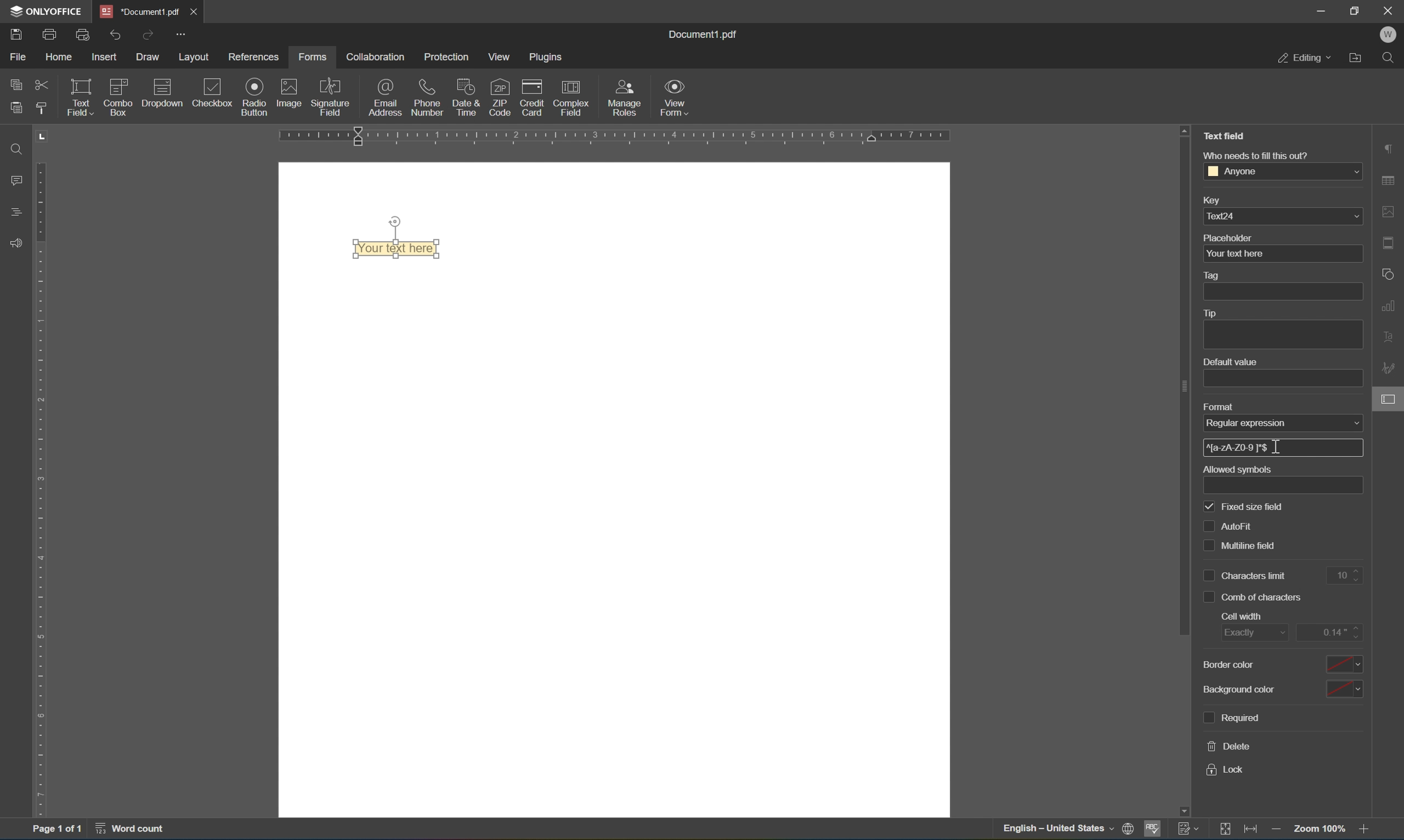  Describe the element at coordinates (701, 32) in the screenshot. I see `document1.pdf` at that location.